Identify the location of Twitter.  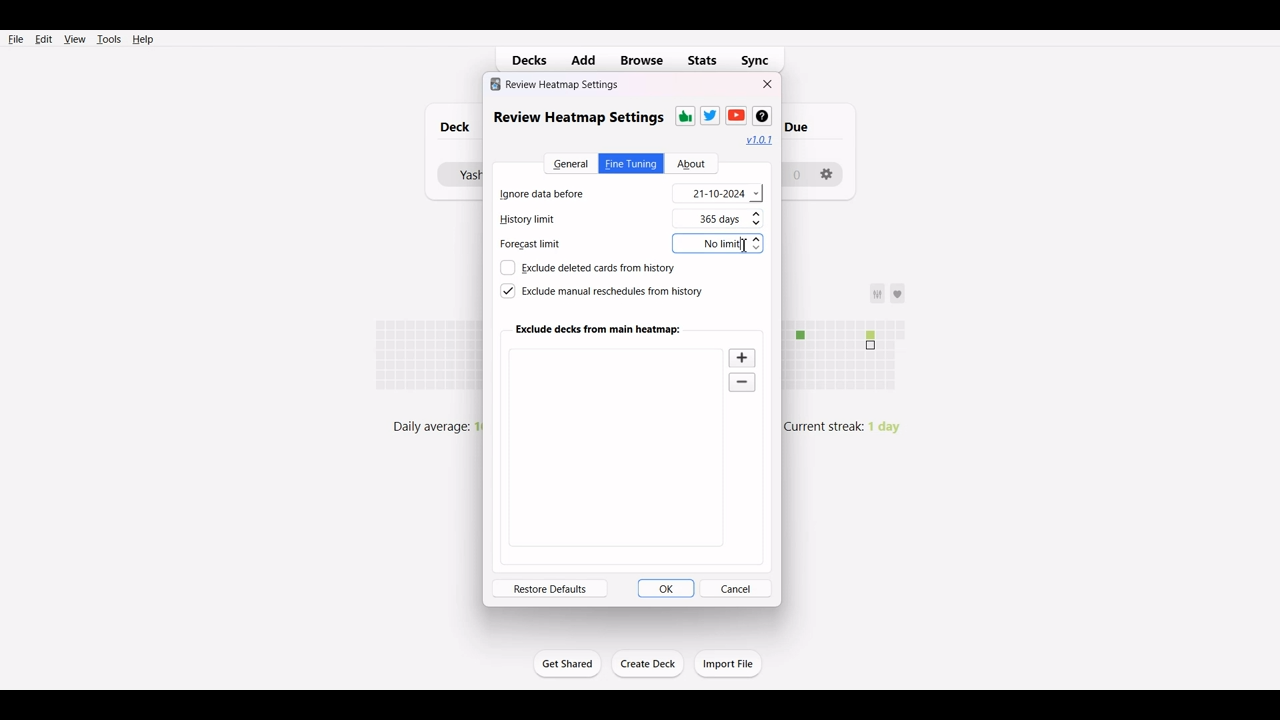
(710, 115).